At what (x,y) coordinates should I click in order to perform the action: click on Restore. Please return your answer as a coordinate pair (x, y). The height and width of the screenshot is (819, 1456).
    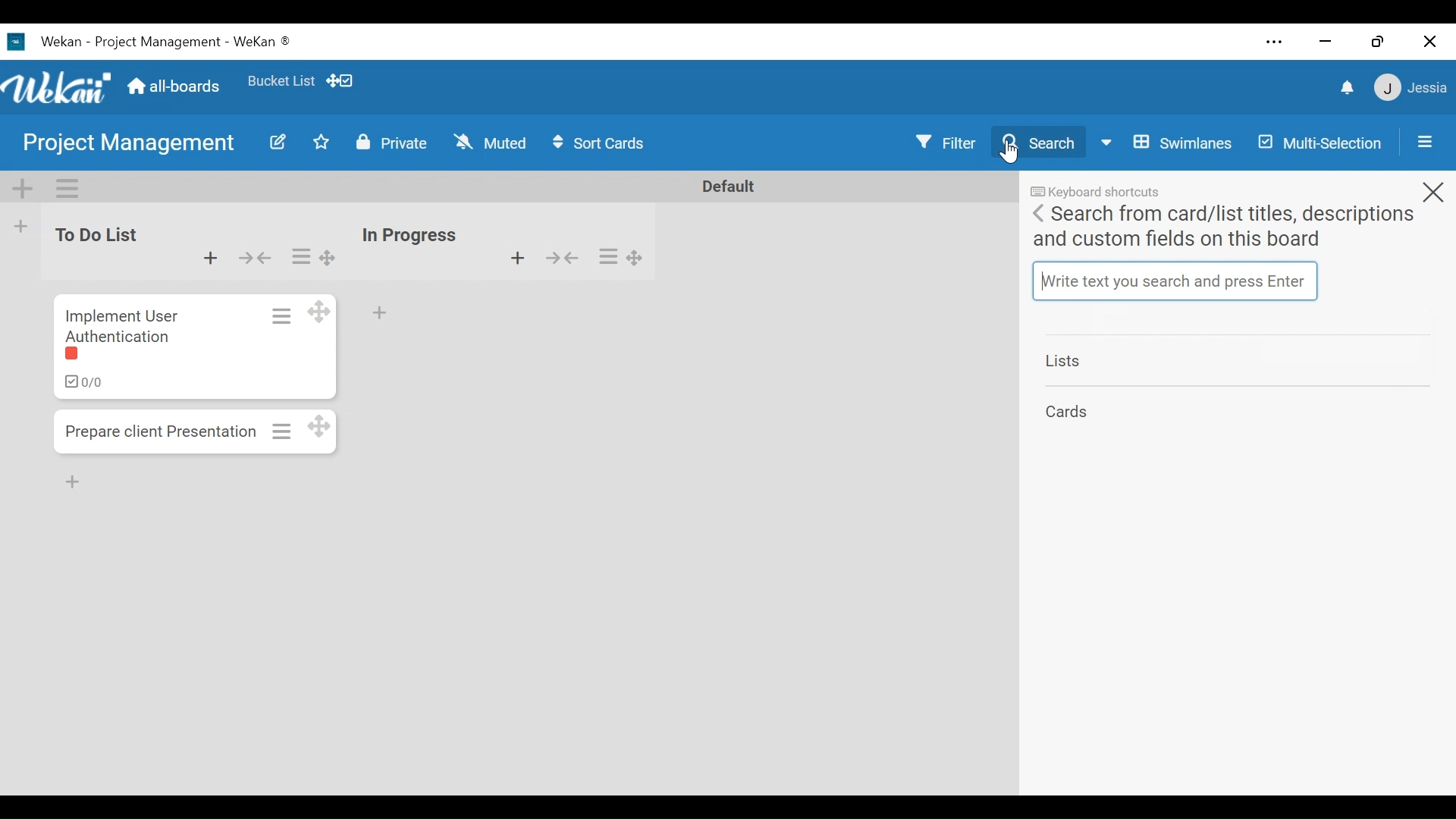
    Looking at the image, I should click on (1376, 42).